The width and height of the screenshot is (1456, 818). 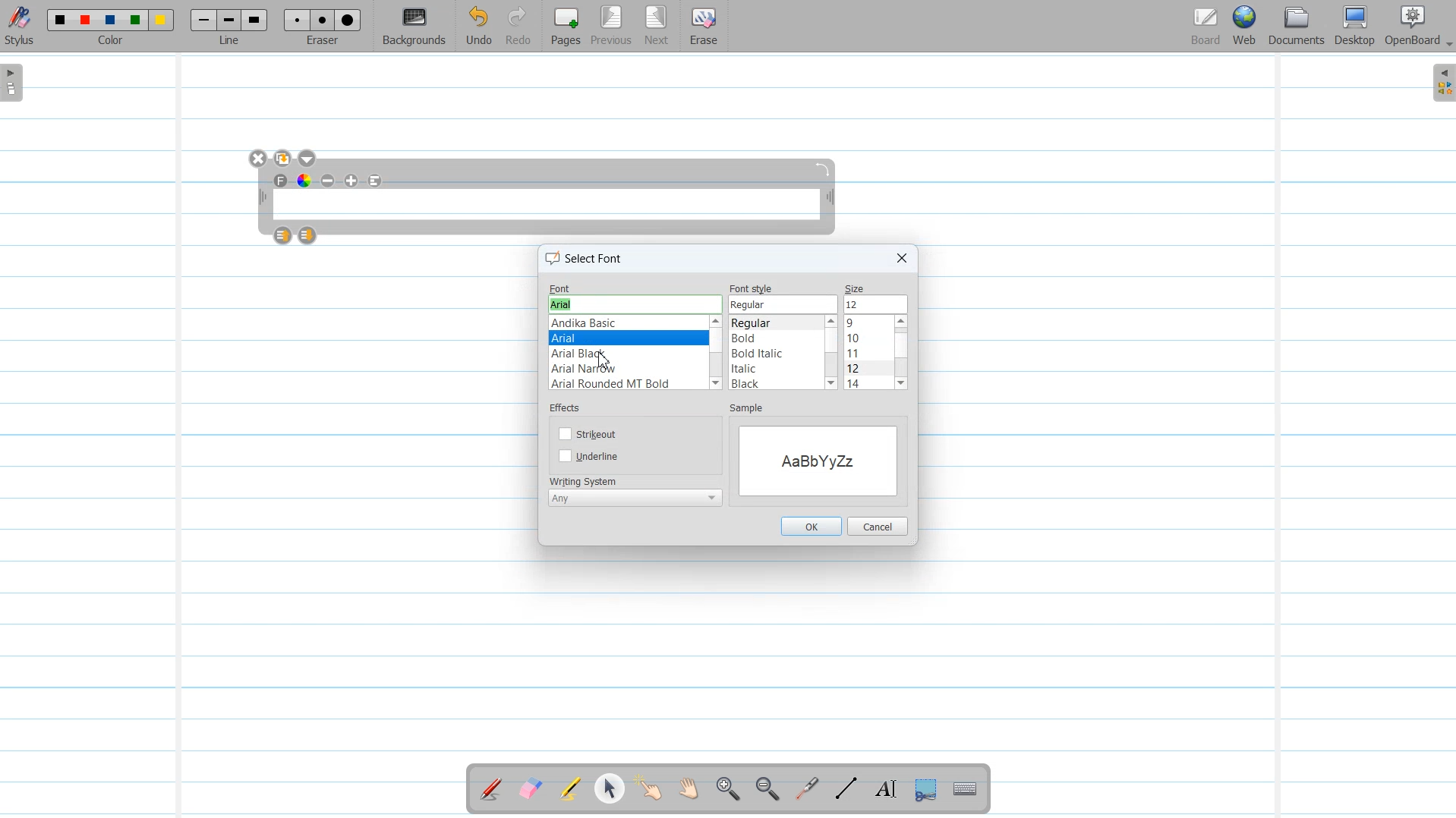 What do you see at coordinates (702, 27) in the screenshot?
I see `Erase` at bounding box center [702, 27].